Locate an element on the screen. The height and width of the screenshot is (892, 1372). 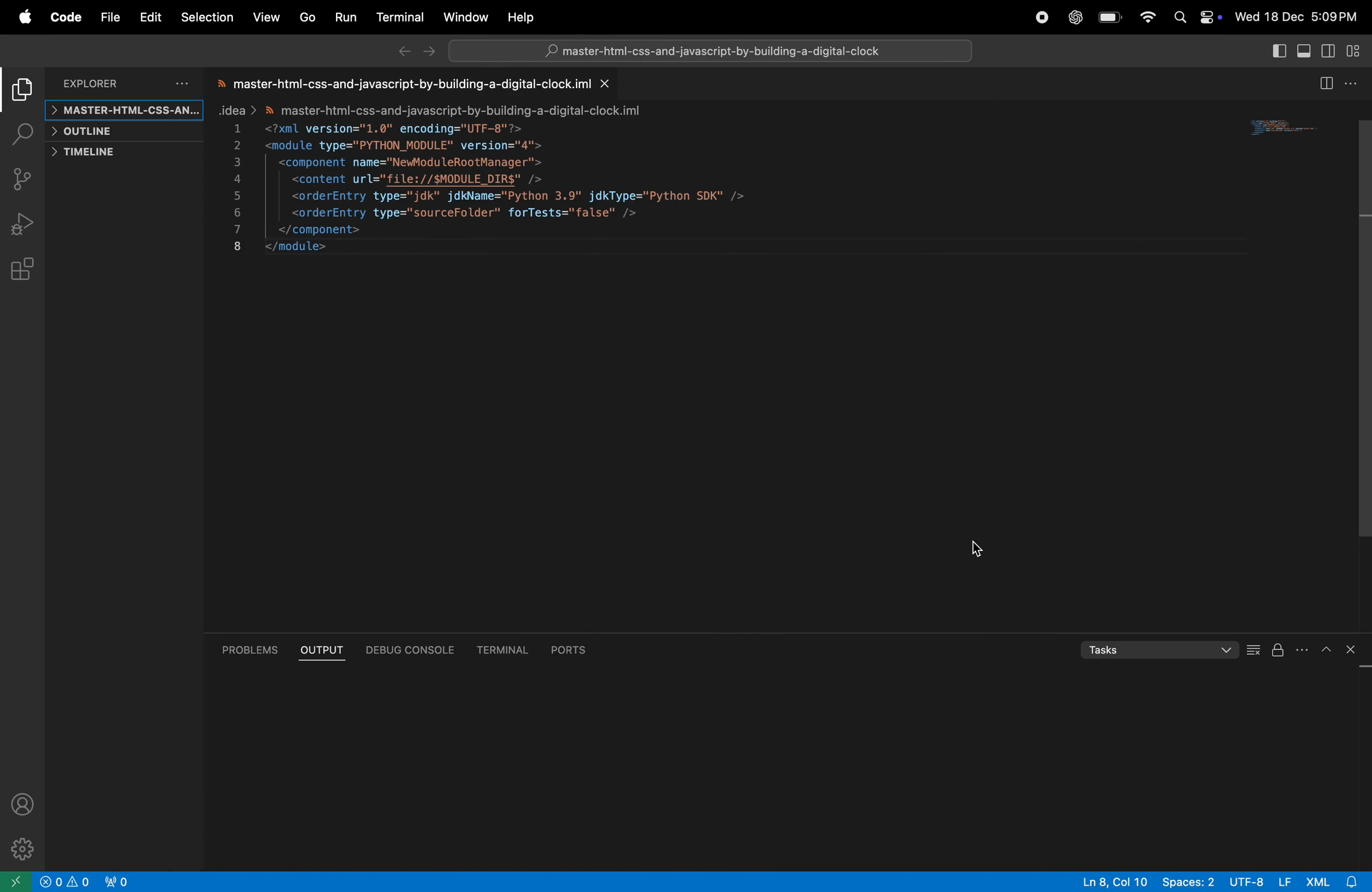
selection is located at coordinates (207, 18).